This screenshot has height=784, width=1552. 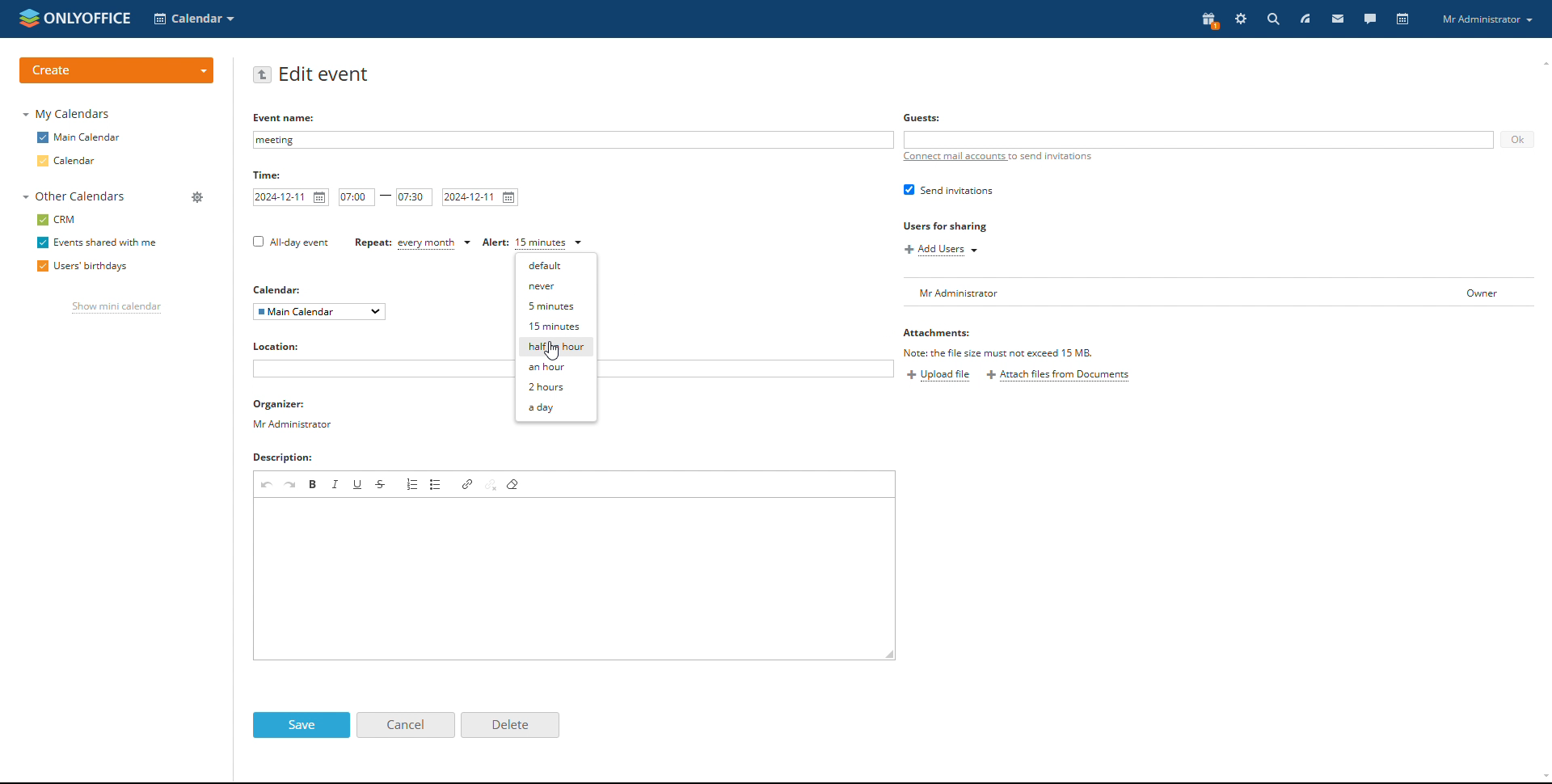 I want to click on end time, so click(x=414, y=198).